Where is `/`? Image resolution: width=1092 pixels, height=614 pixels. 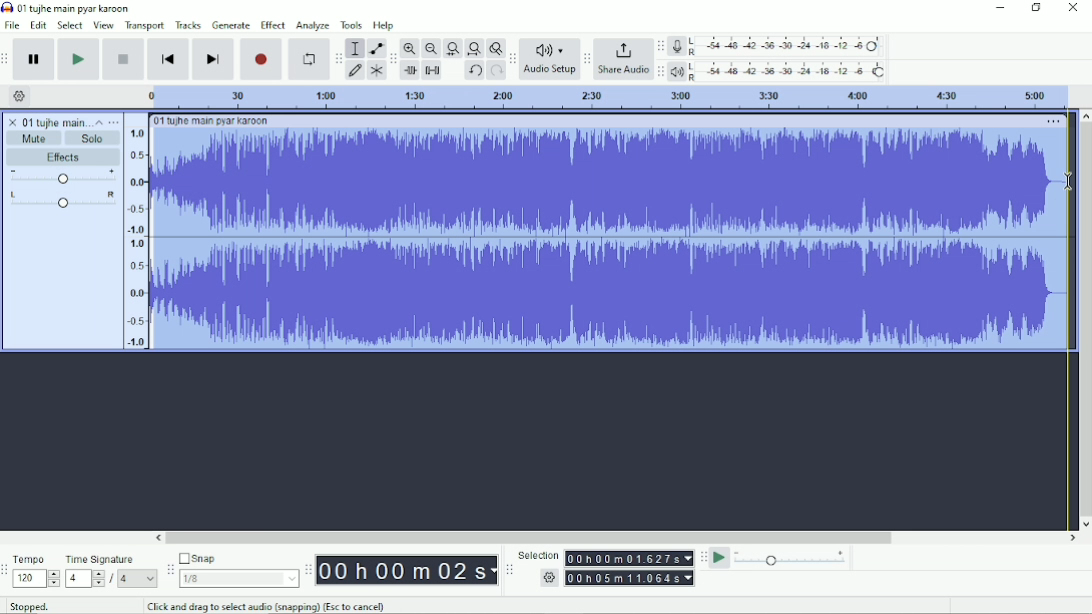
/ is located at coordinates (113, 581).